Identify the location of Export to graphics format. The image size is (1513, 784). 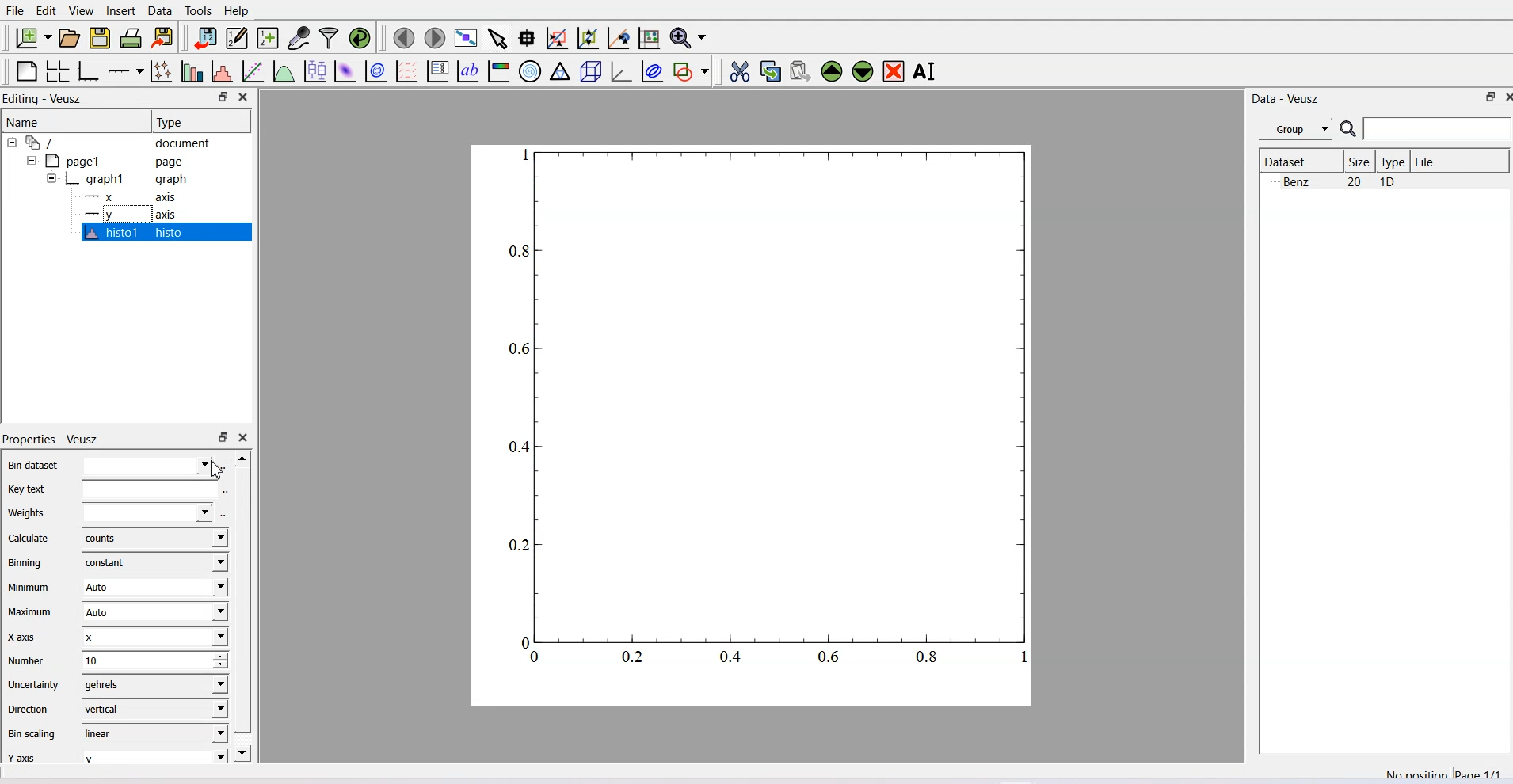
(163, 38).